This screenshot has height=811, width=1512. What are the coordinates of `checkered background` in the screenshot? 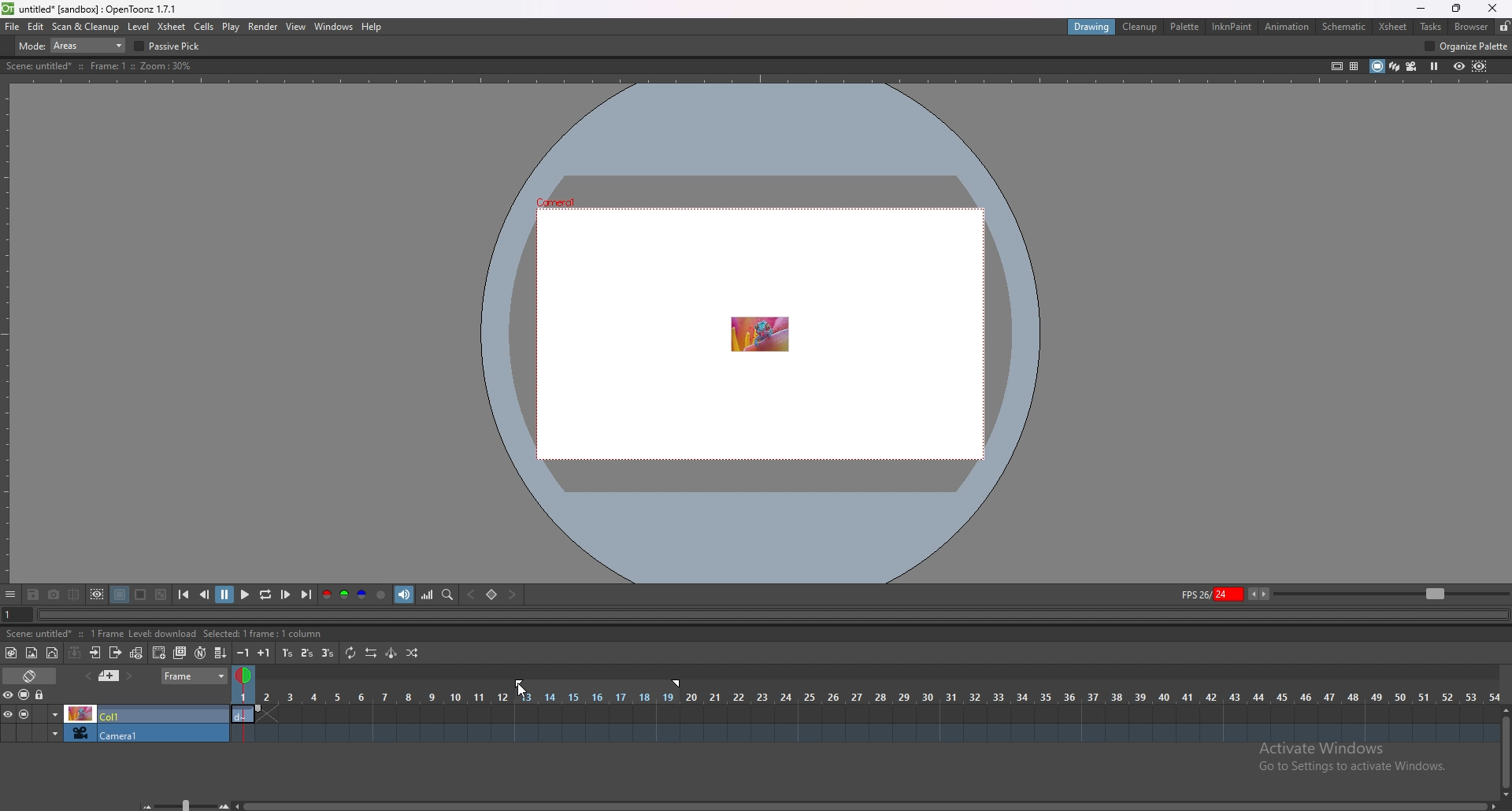 It's located at (162, 594).